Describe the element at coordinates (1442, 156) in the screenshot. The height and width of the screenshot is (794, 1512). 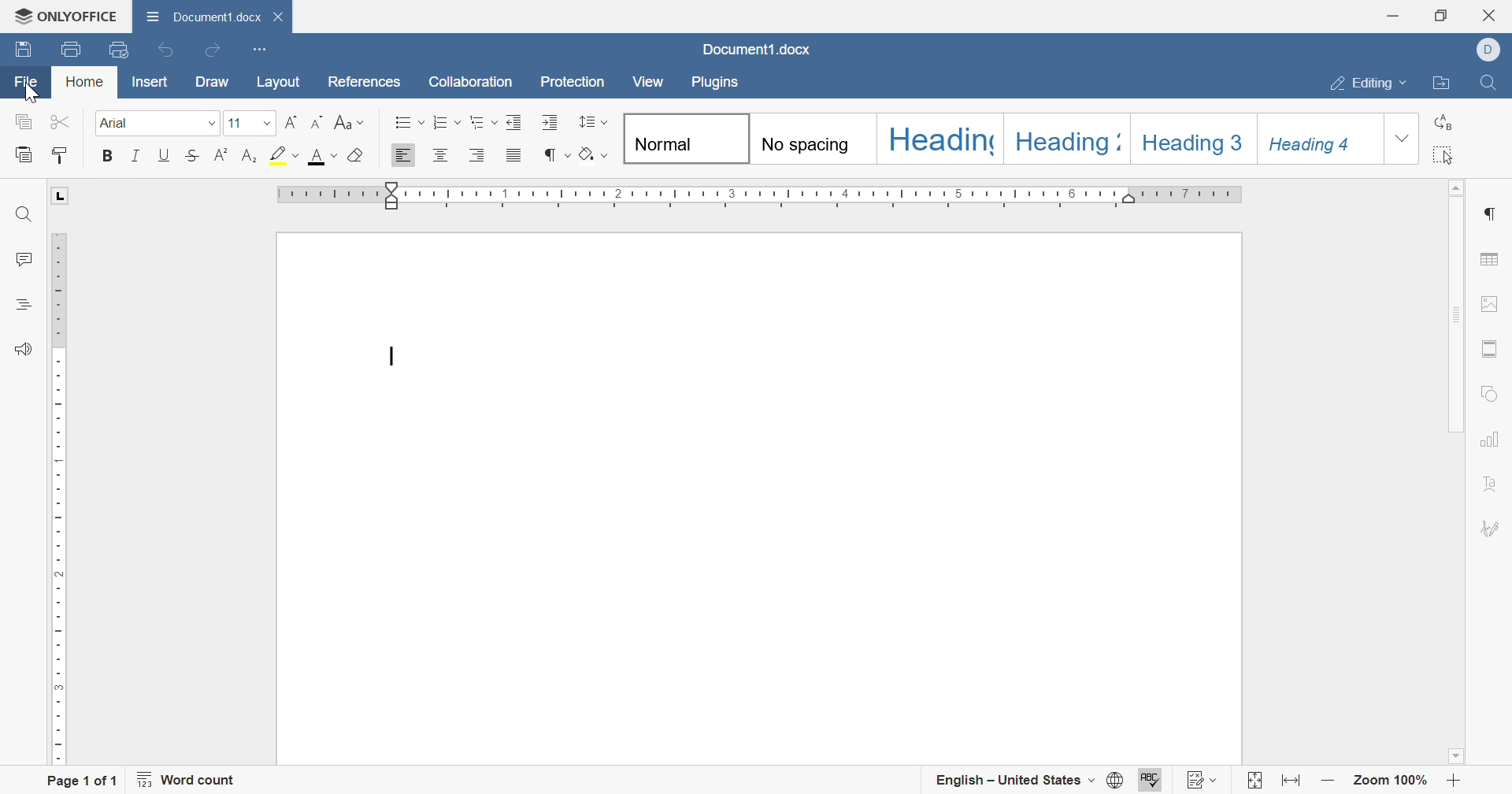
I see `select all` at that location.